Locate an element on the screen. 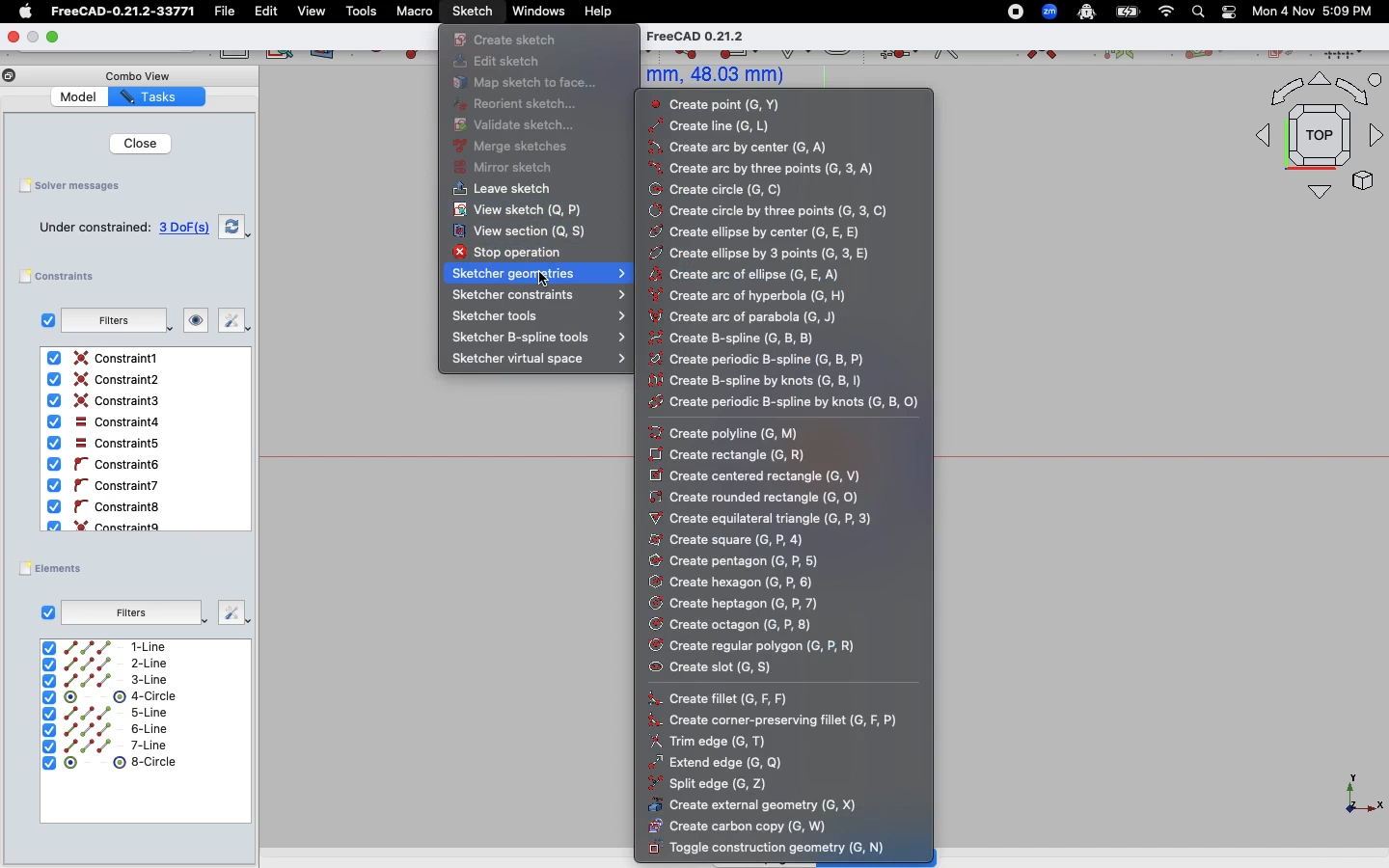  Constraint5 is located at coordinates (103, 444).